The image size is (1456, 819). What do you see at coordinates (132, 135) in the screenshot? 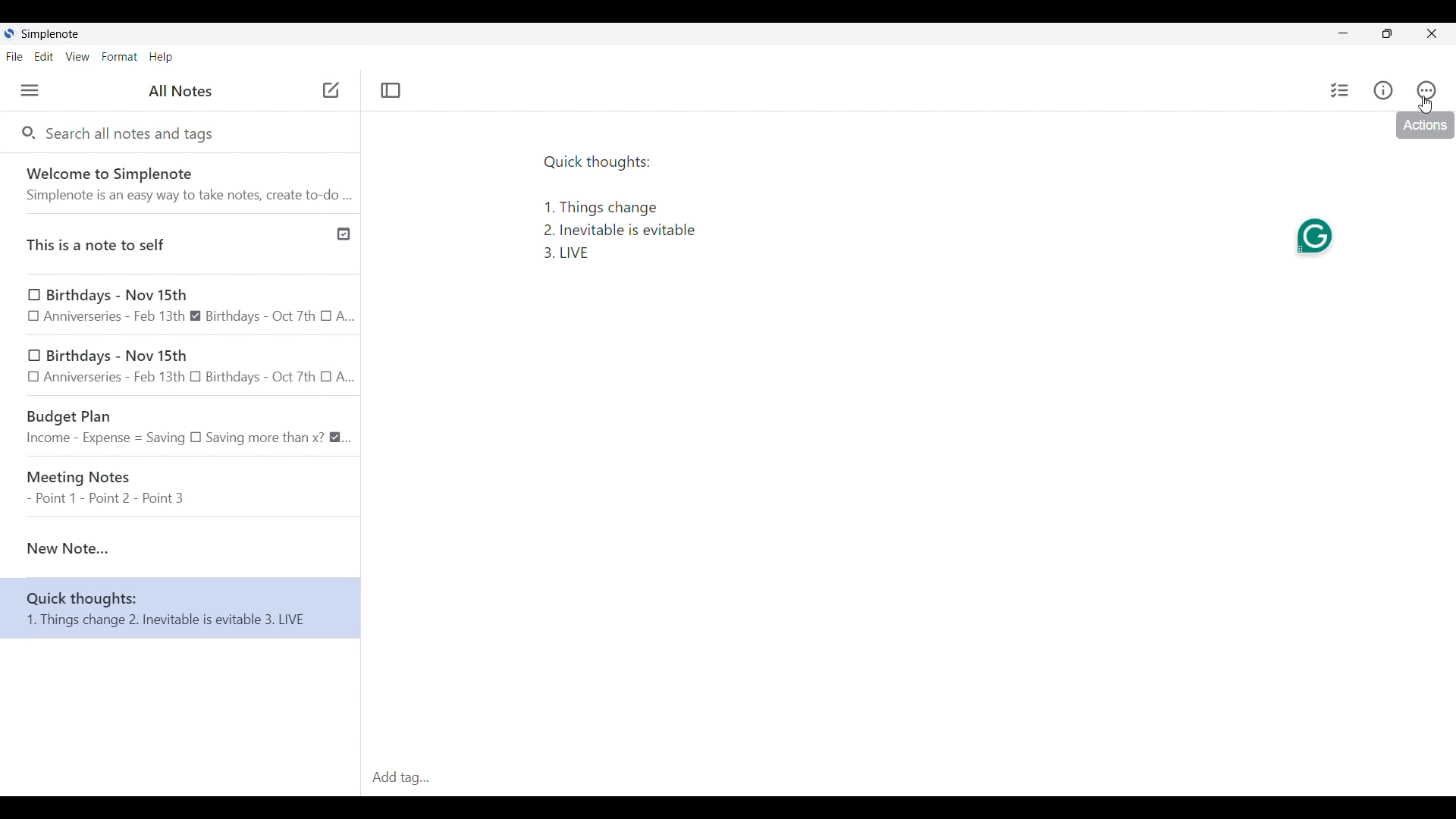
I see `Search all notes and tags` at bounding box center [132, 135].